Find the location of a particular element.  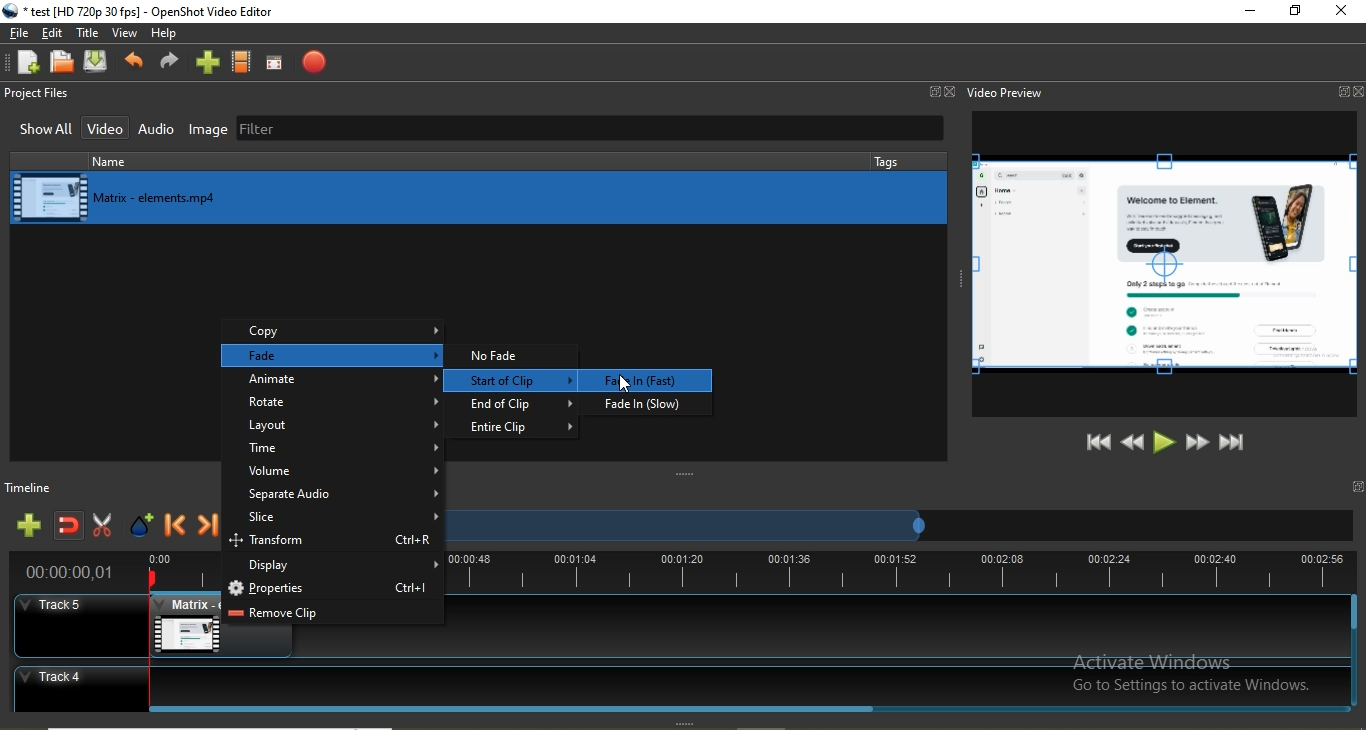

media library is located at coordinates (479, 196).